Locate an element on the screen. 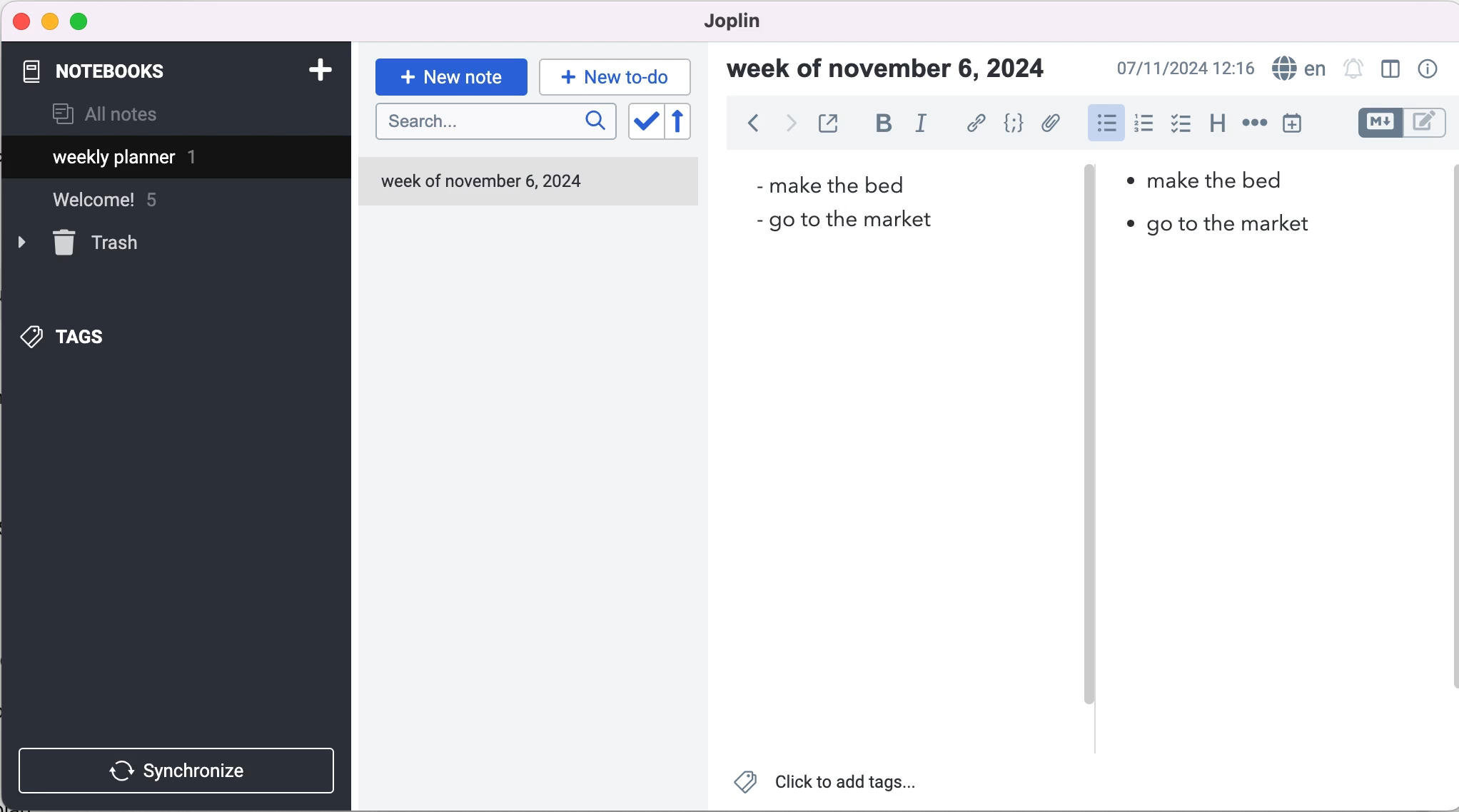  welcome! 5 is located at coordinates (123, 206).